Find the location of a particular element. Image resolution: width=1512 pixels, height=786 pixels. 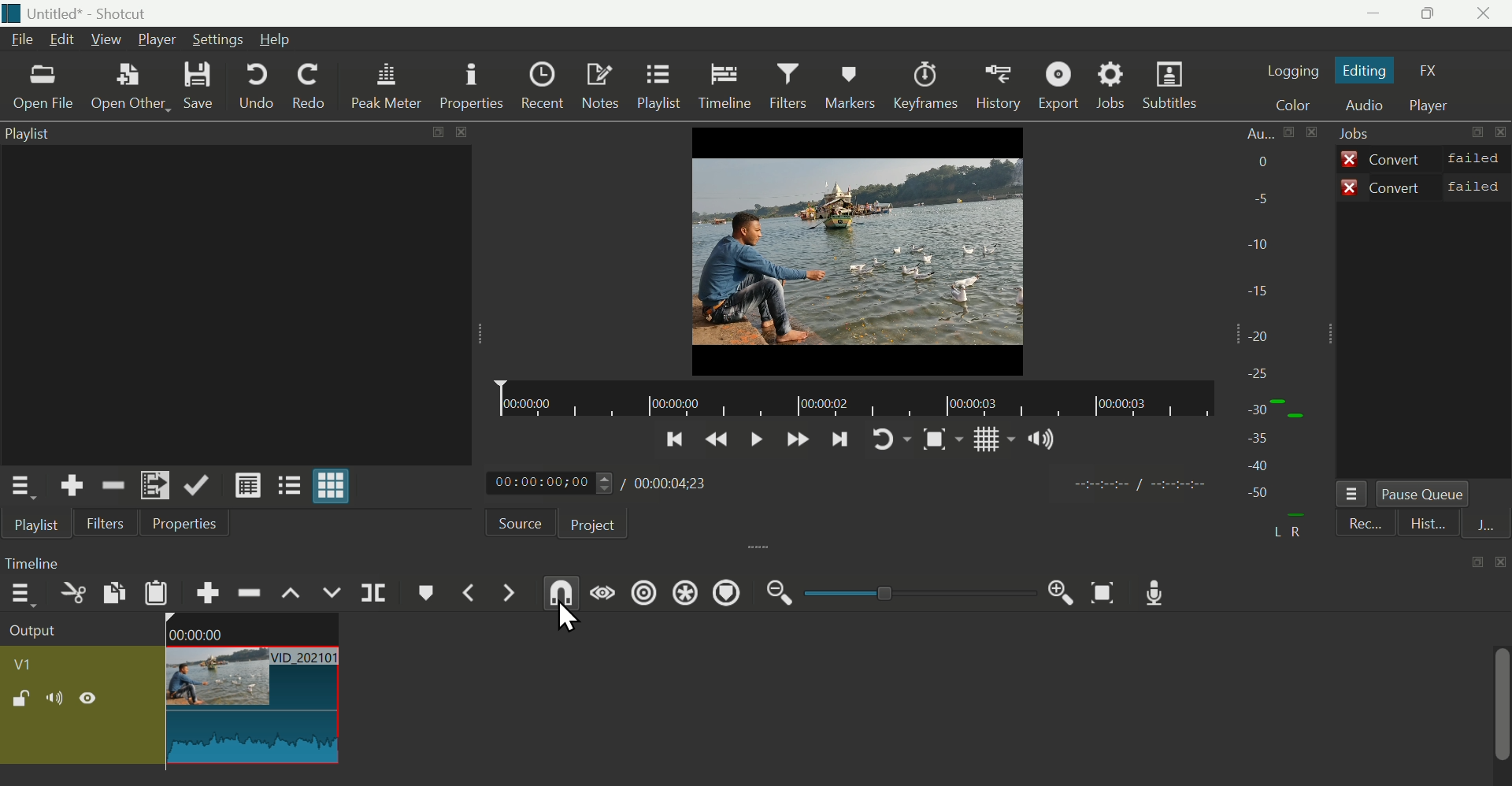

Clip is located at coordinates (171, 692).